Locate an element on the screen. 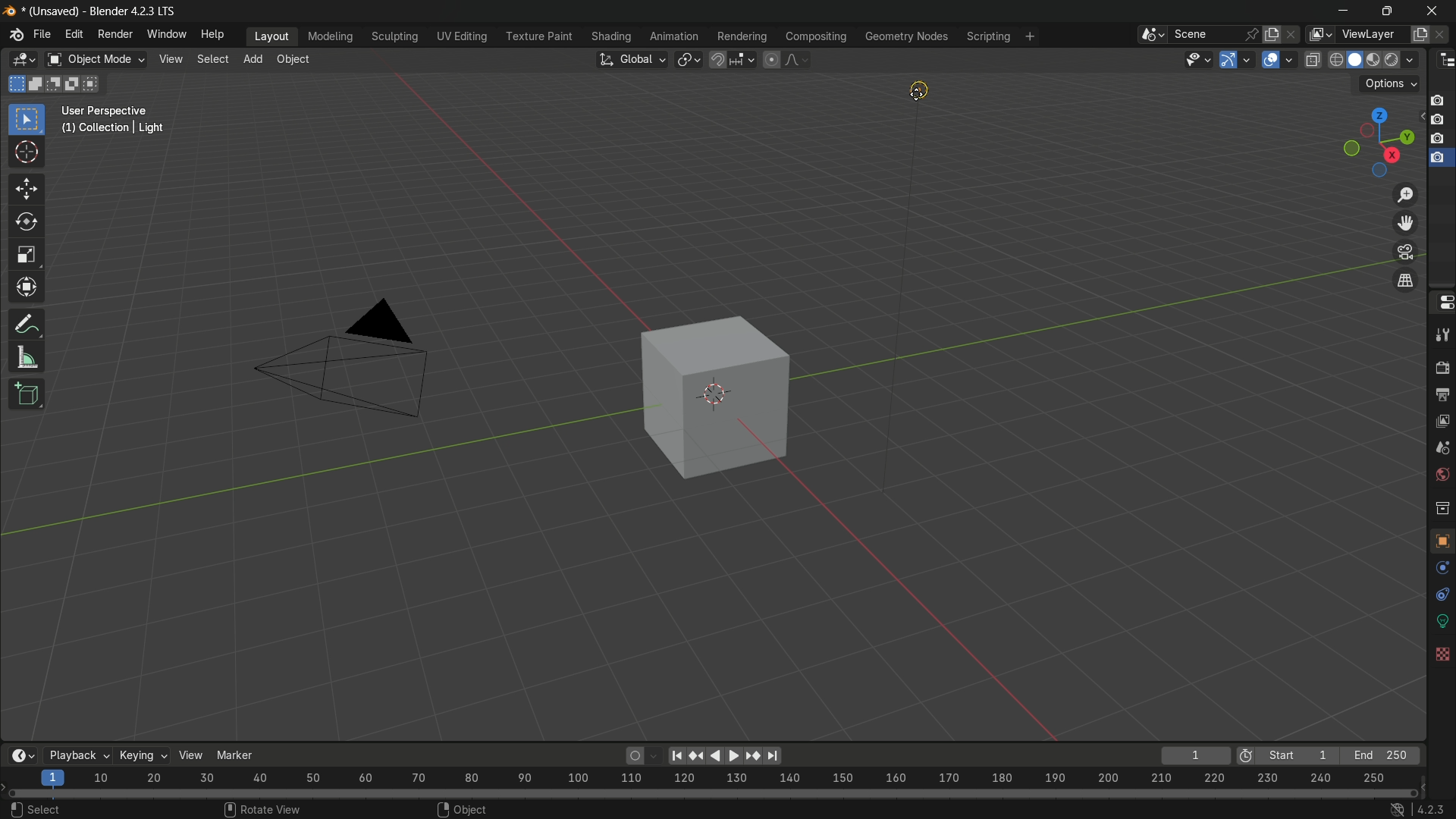 The height and width of the screenshot is (819, 1456). physics is located at coordinates (1439, 623).